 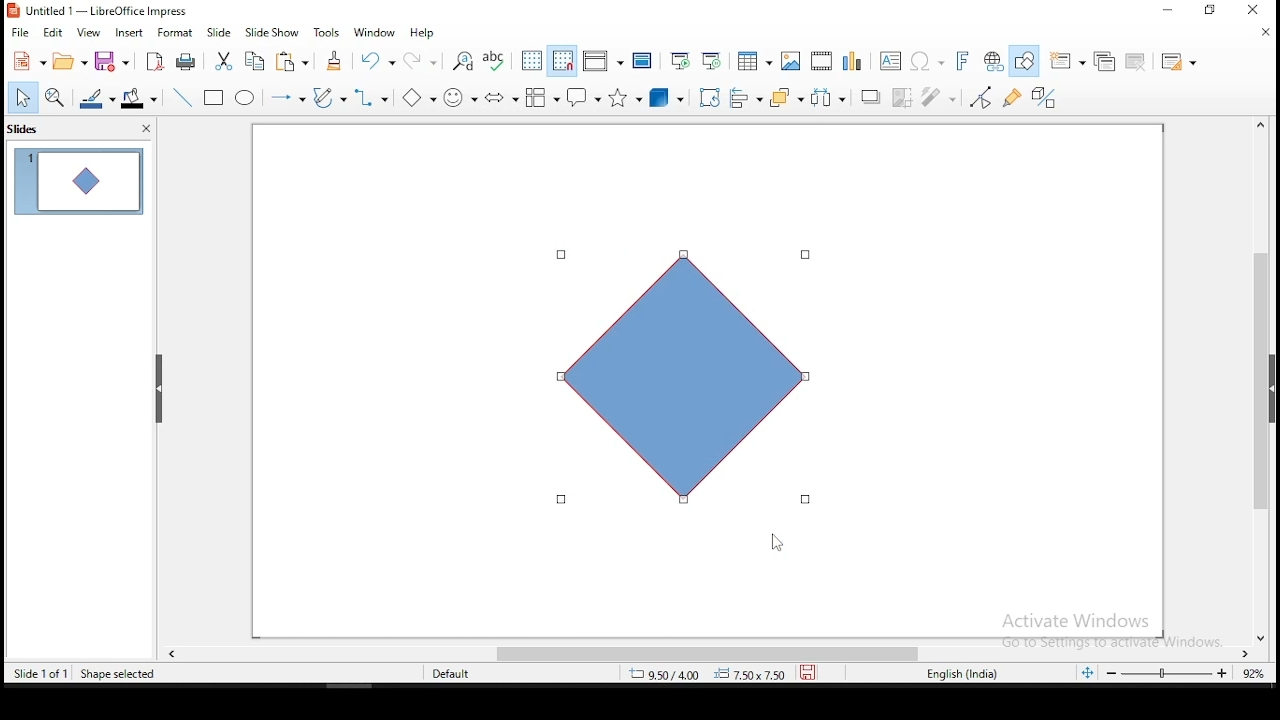 I want to click on save, so click(x=807, y=671).